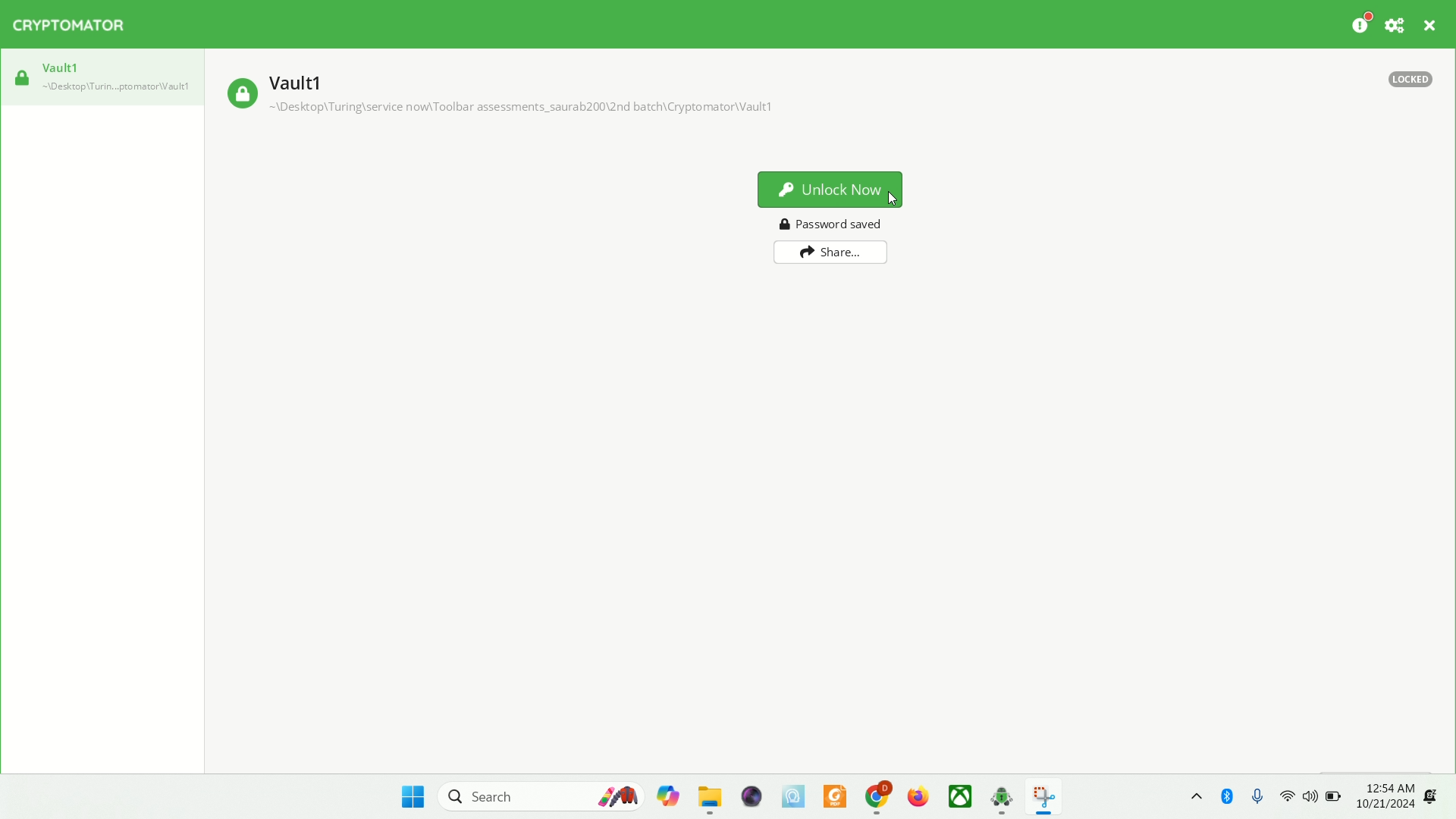 The height and width of the screenshot is (819, 1456). Describe the element at coordinates (1414, 78) in the screenshot. I see `locked` at that location.